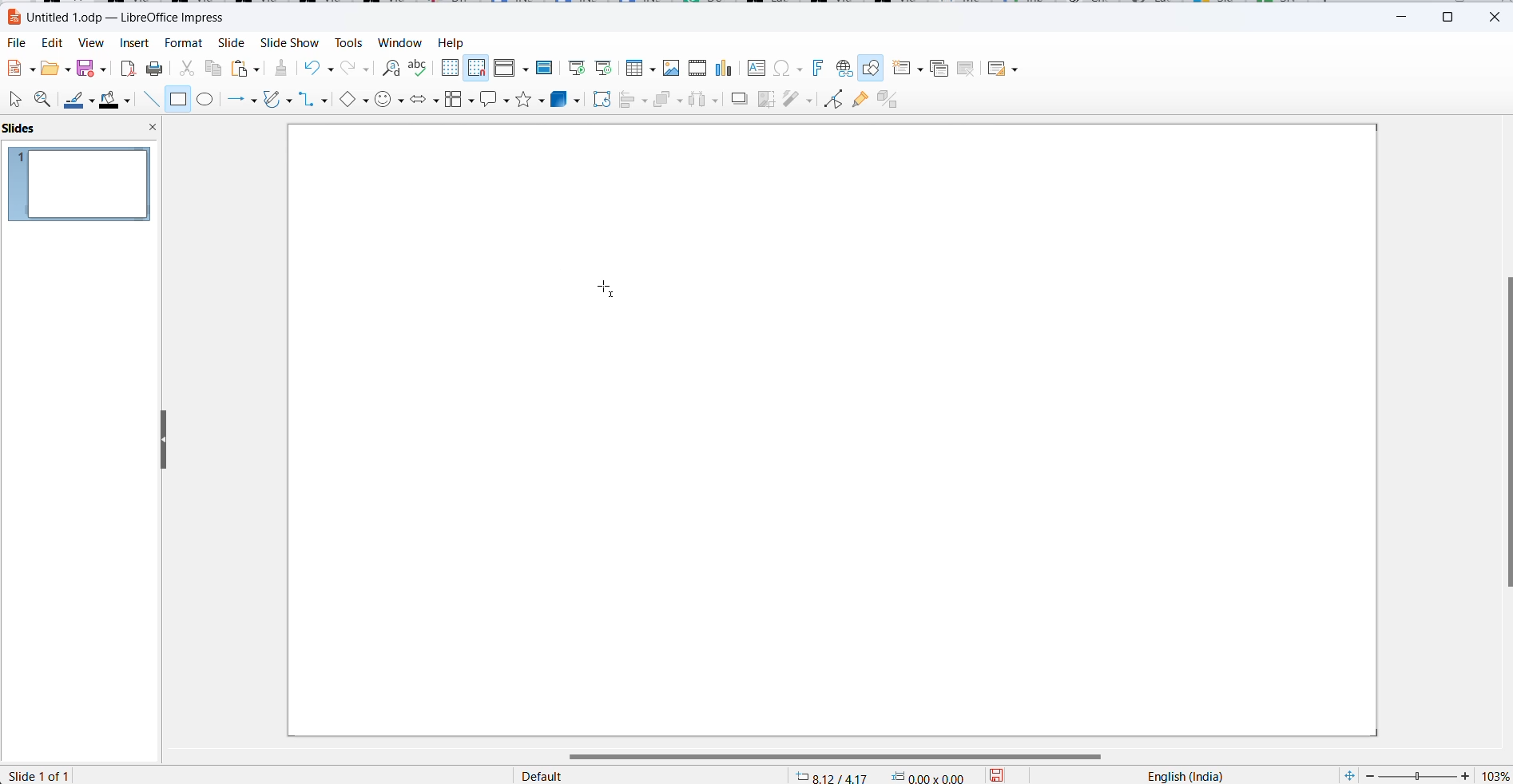  What do you see at coordinates (153, 101) in the screenshot?
I see `line` at bounding box center [153, 101].